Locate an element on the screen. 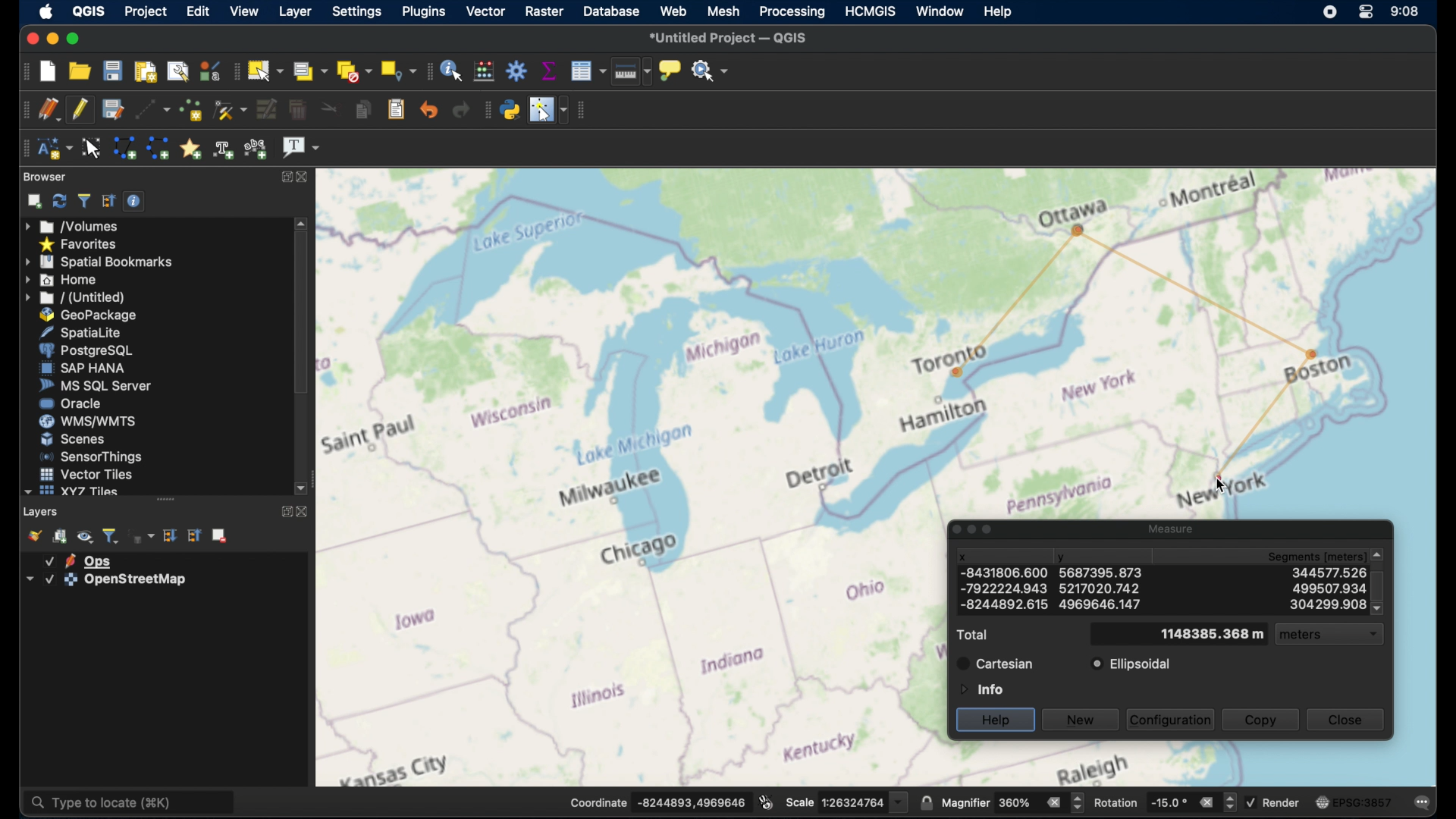  processing is located at coordinates (792, 12).